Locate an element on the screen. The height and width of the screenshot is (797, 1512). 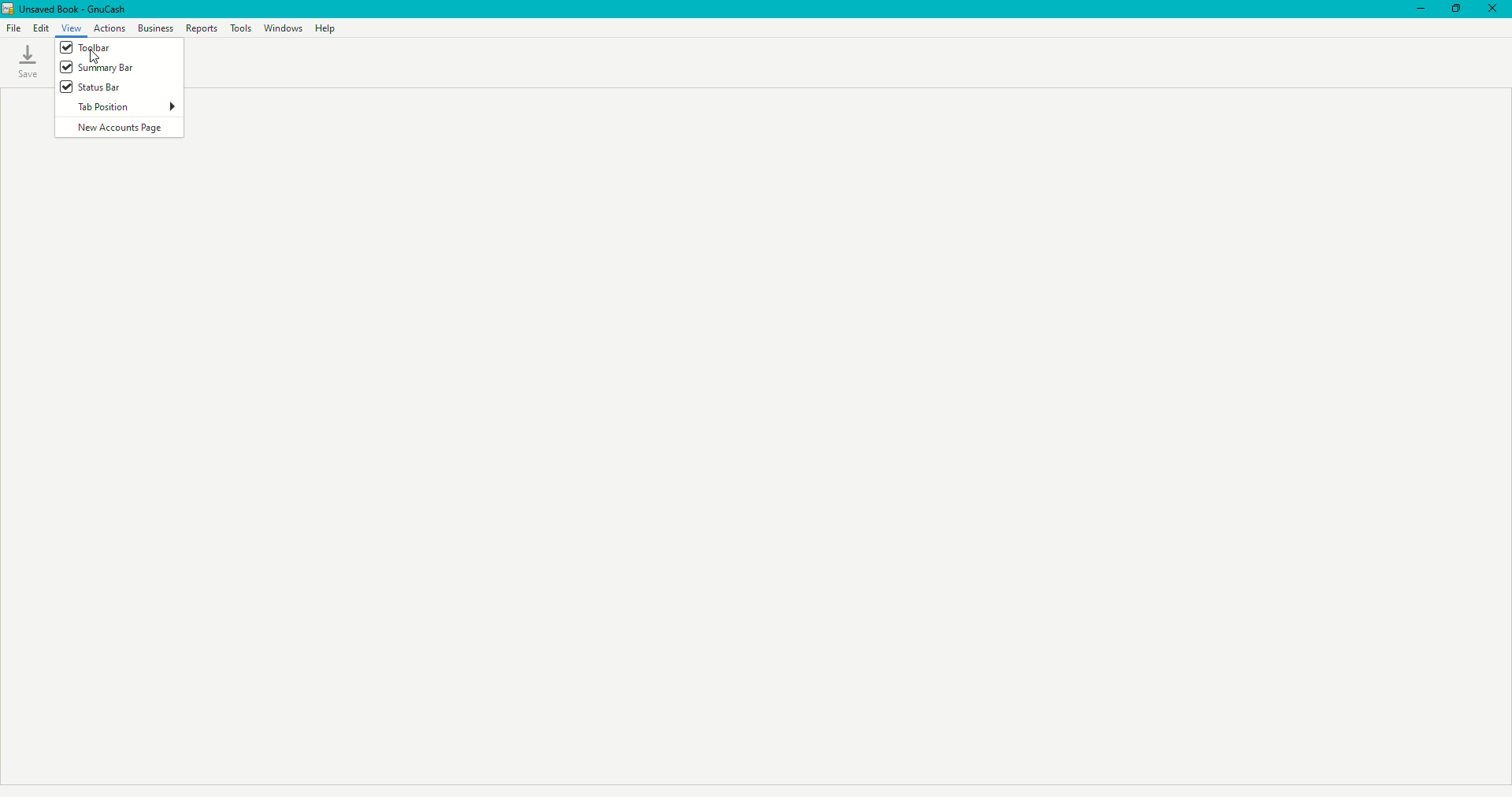
Summary Bar is located at coordinates (99, 69).